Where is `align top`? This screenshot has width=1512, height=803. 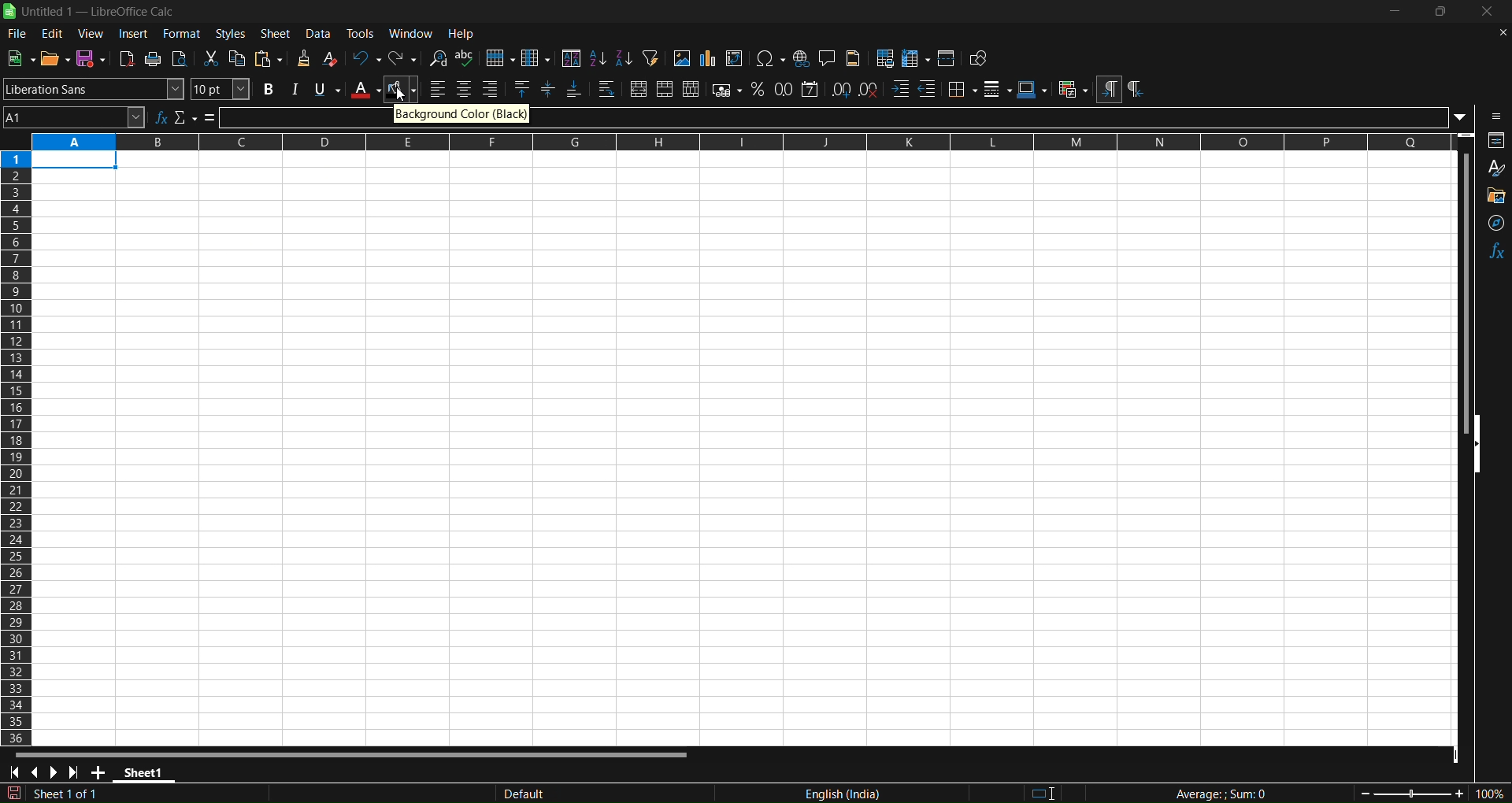 align top is located at coordinates (522, 88).